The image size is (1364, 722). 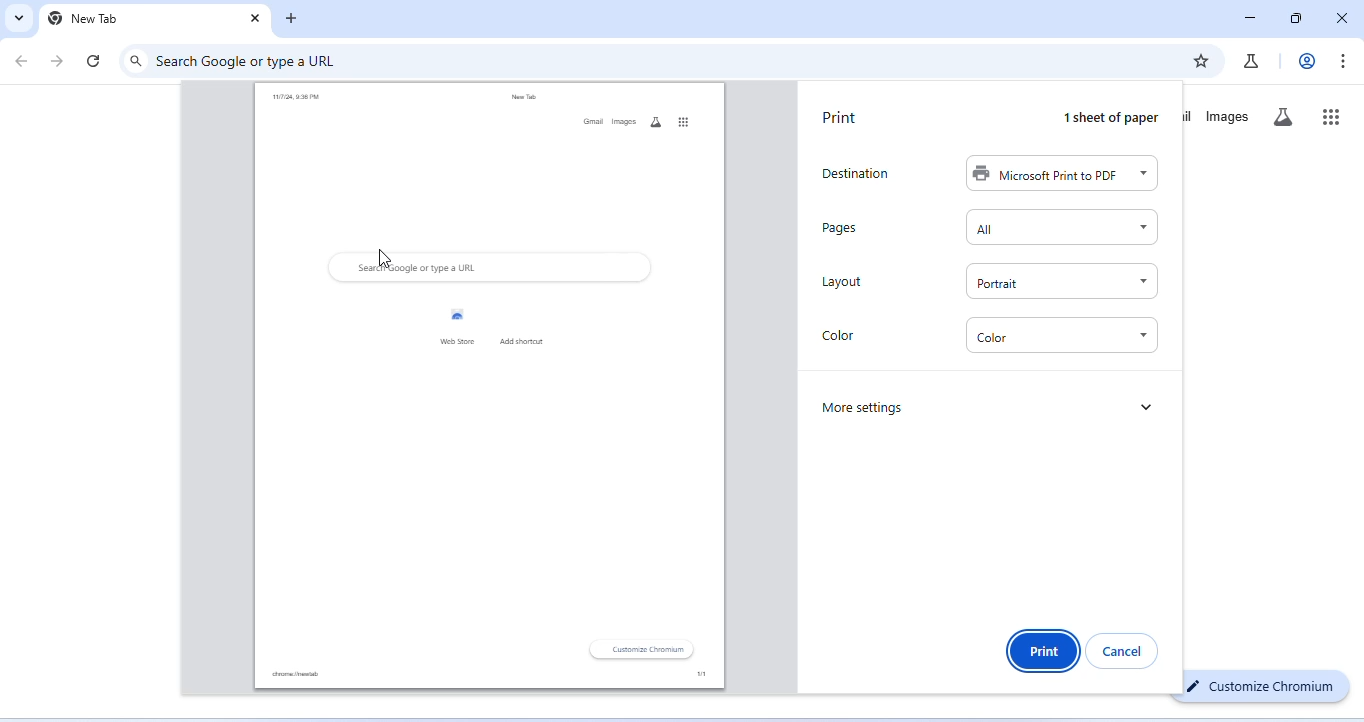 What do you see at coordinates (1250, 19) in the screenshot?
I see `minimize` at bounding box center [1250, 19].